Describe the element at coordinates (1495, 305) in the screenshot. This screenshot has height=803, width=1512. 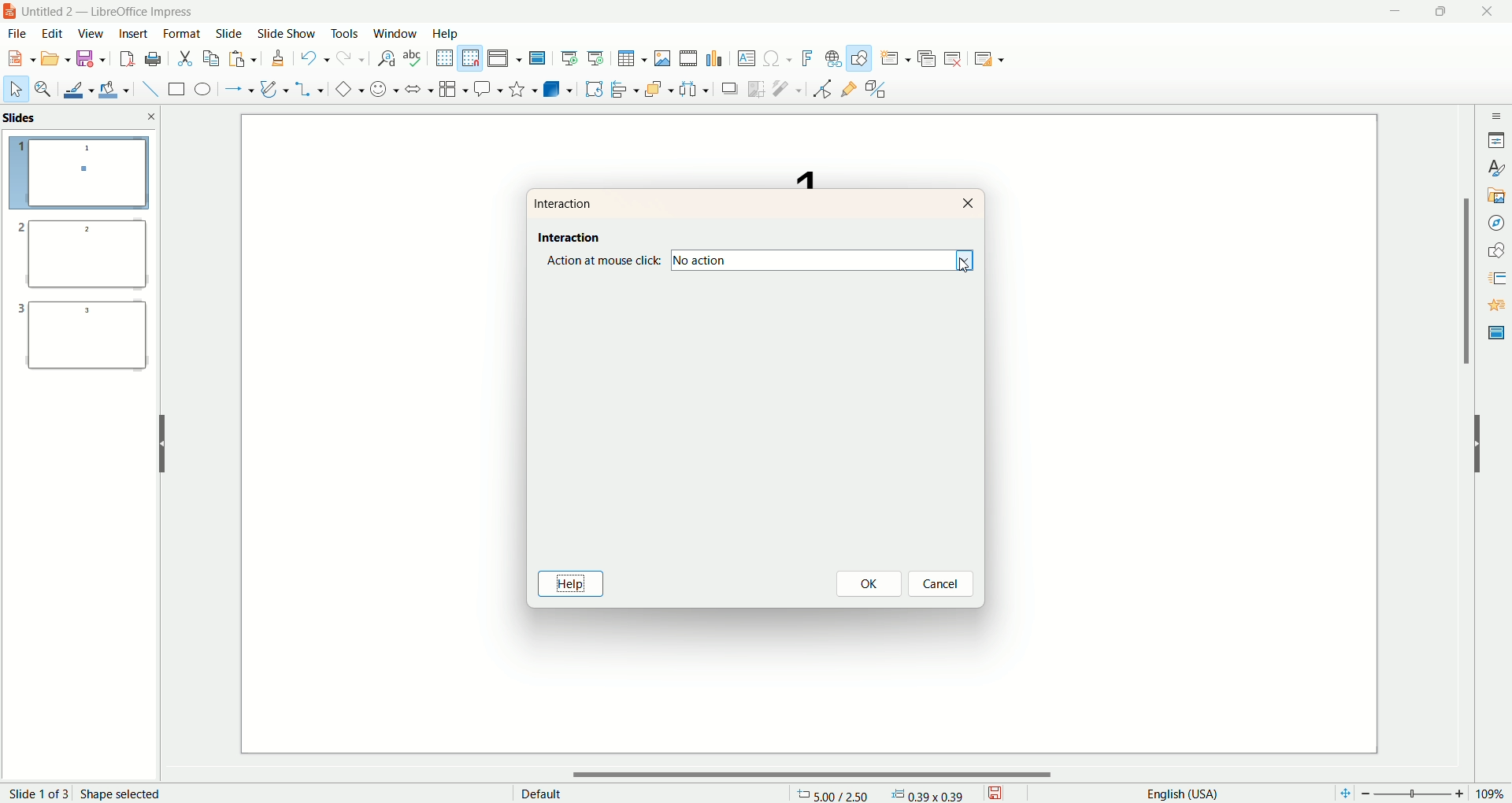
I see `animation` at that location.